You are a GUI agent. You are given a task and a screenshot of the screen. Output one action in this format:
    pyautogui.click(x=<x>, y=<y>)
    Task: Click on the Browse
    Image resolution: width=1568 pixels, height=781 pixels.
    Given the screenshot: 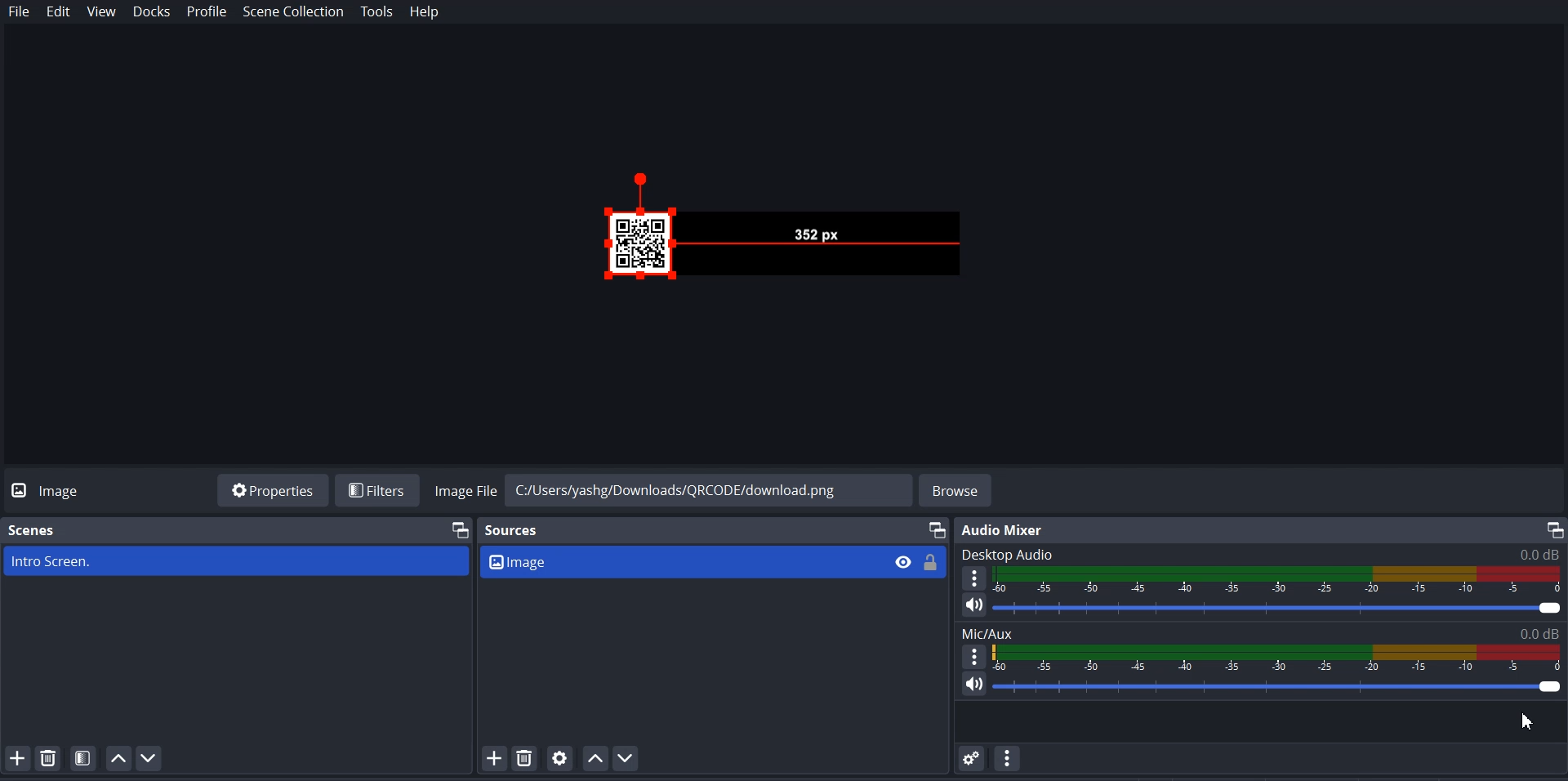 What is the action you would take?
    pyautogui.click(x=957, y=490)
    